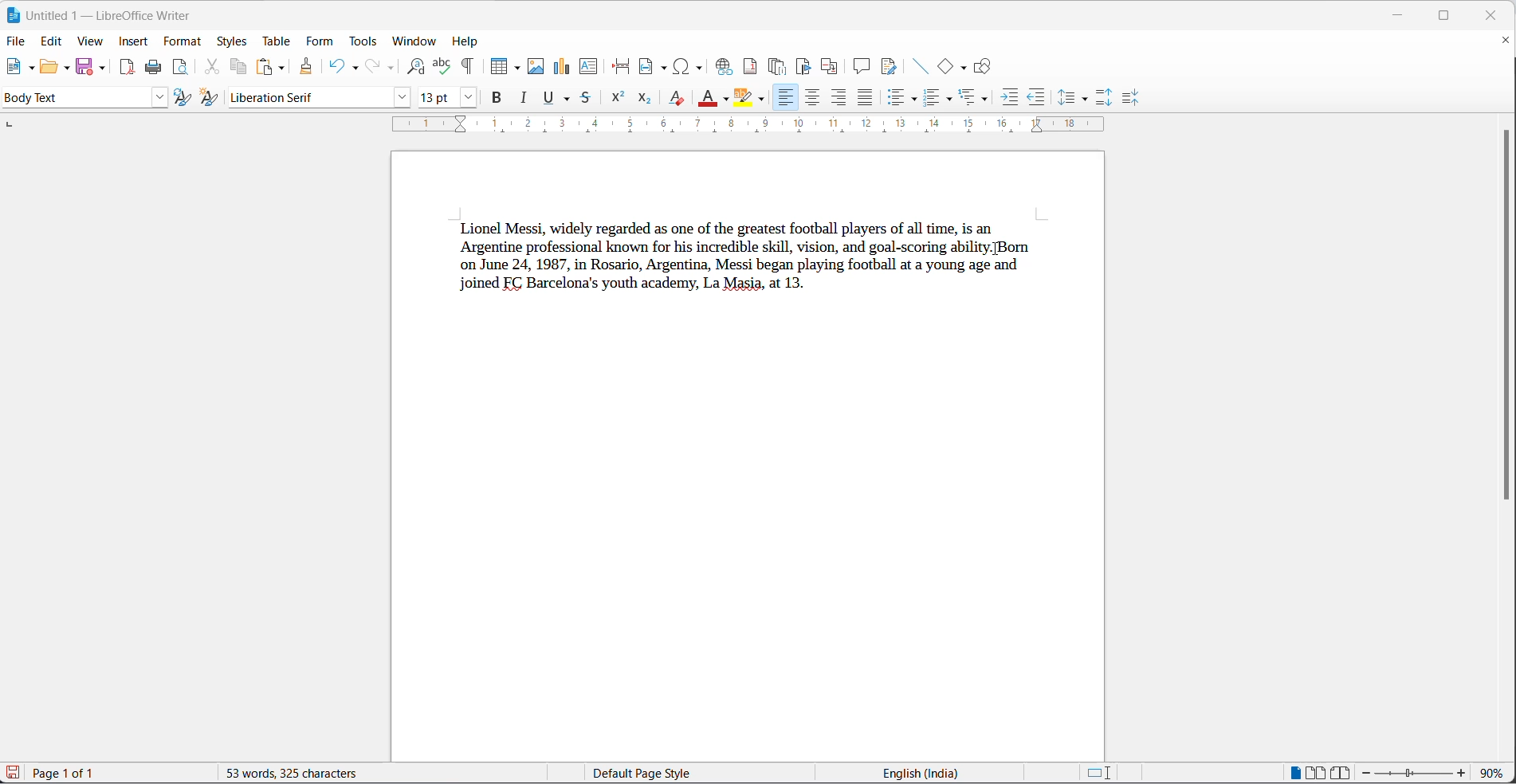  Describe the element at coordinates (52, 39) in the screenshot. I see `edit` at that location.